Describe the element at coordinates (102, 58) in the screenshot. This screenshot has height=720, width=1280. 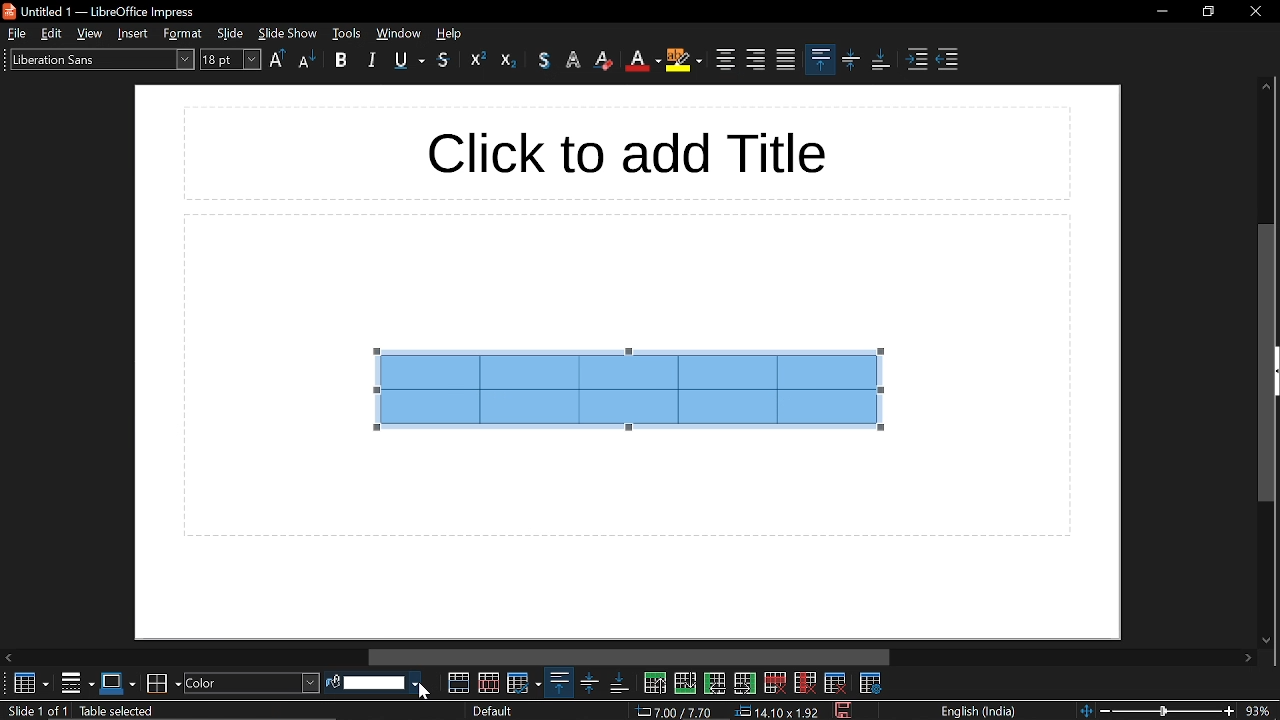
I see `text style` at that location.